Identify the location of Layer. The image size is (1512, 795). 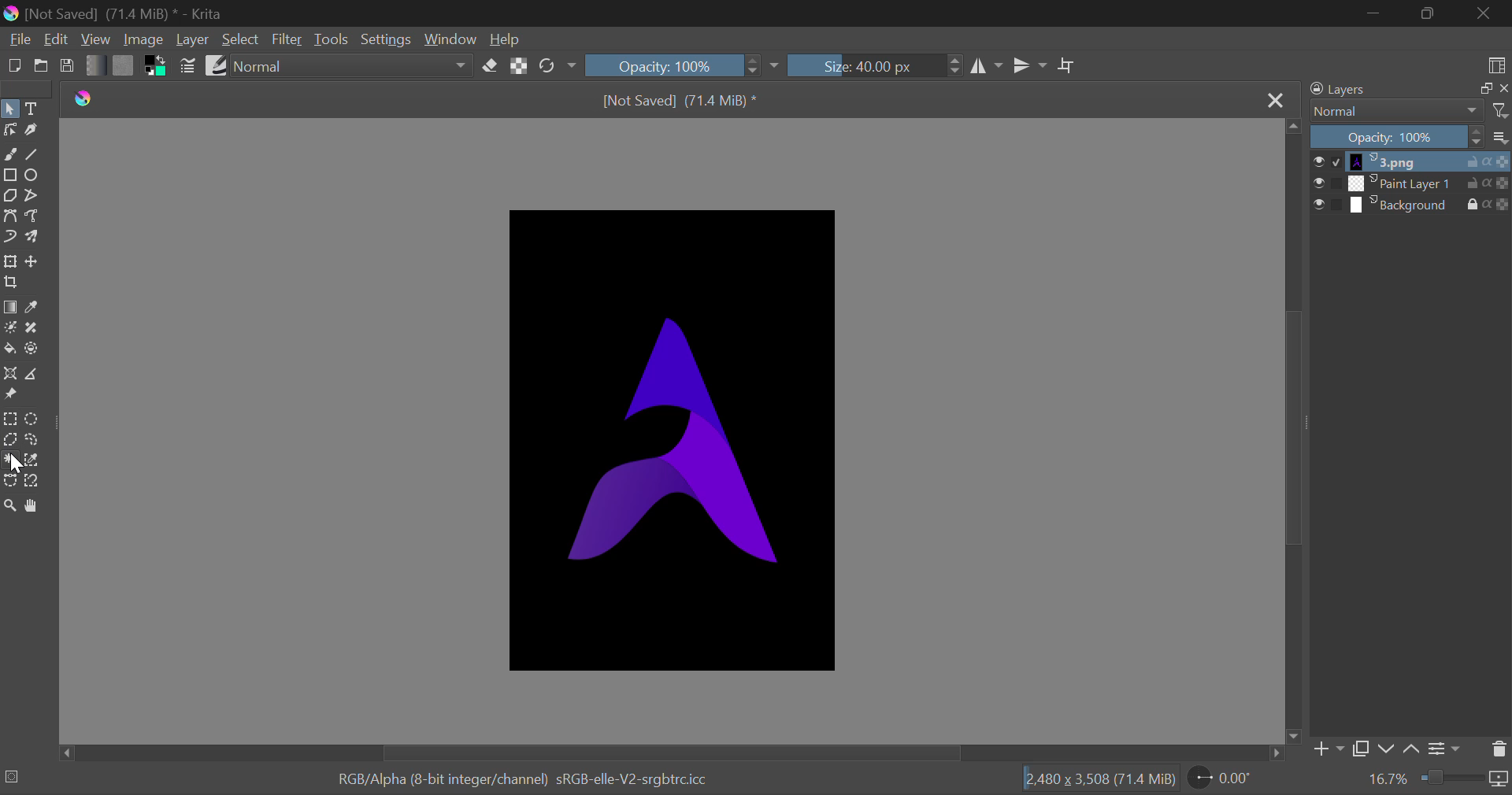
(193, 39).